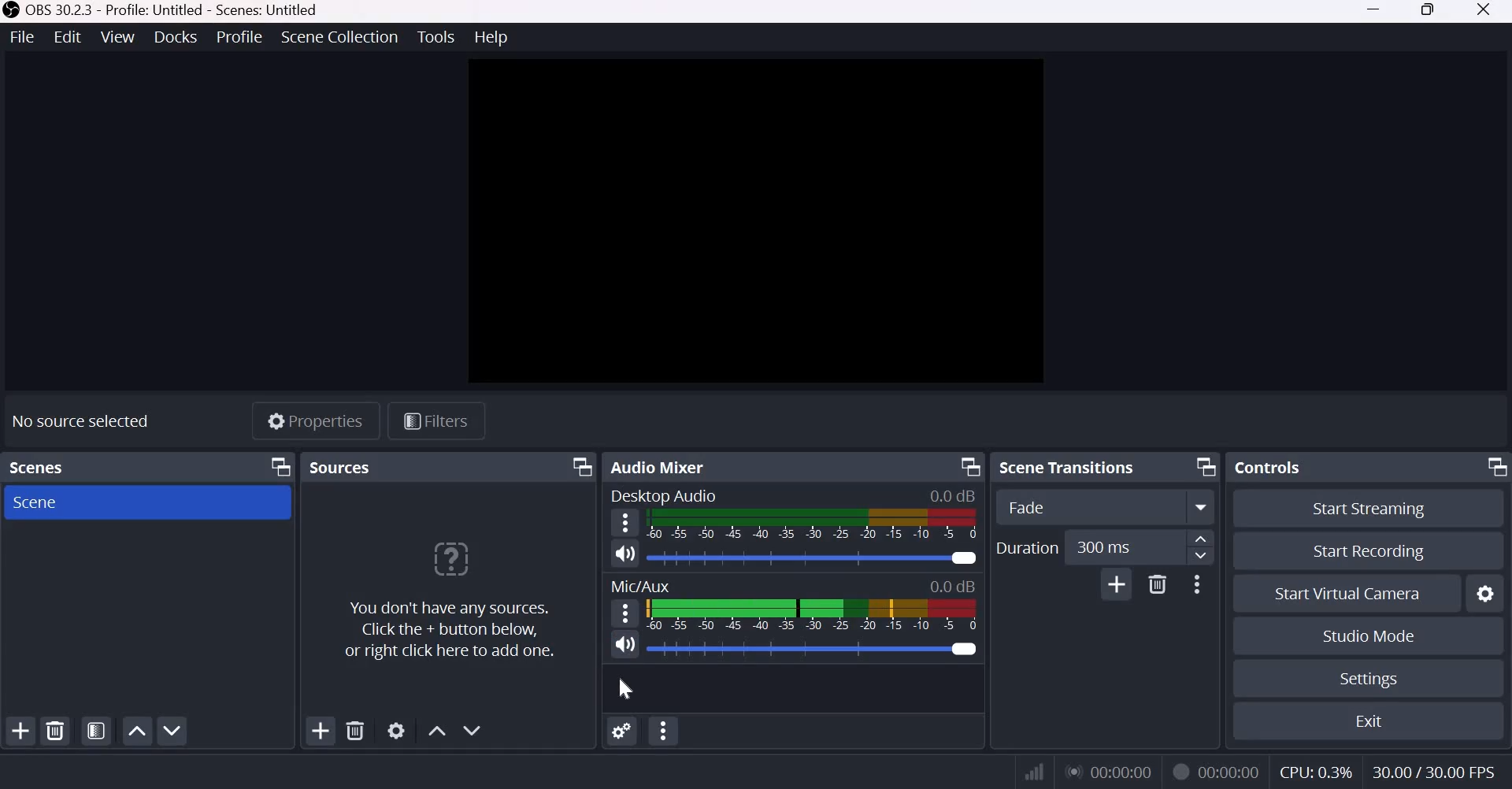  I want to click on Open source properties, so click(399, 730).